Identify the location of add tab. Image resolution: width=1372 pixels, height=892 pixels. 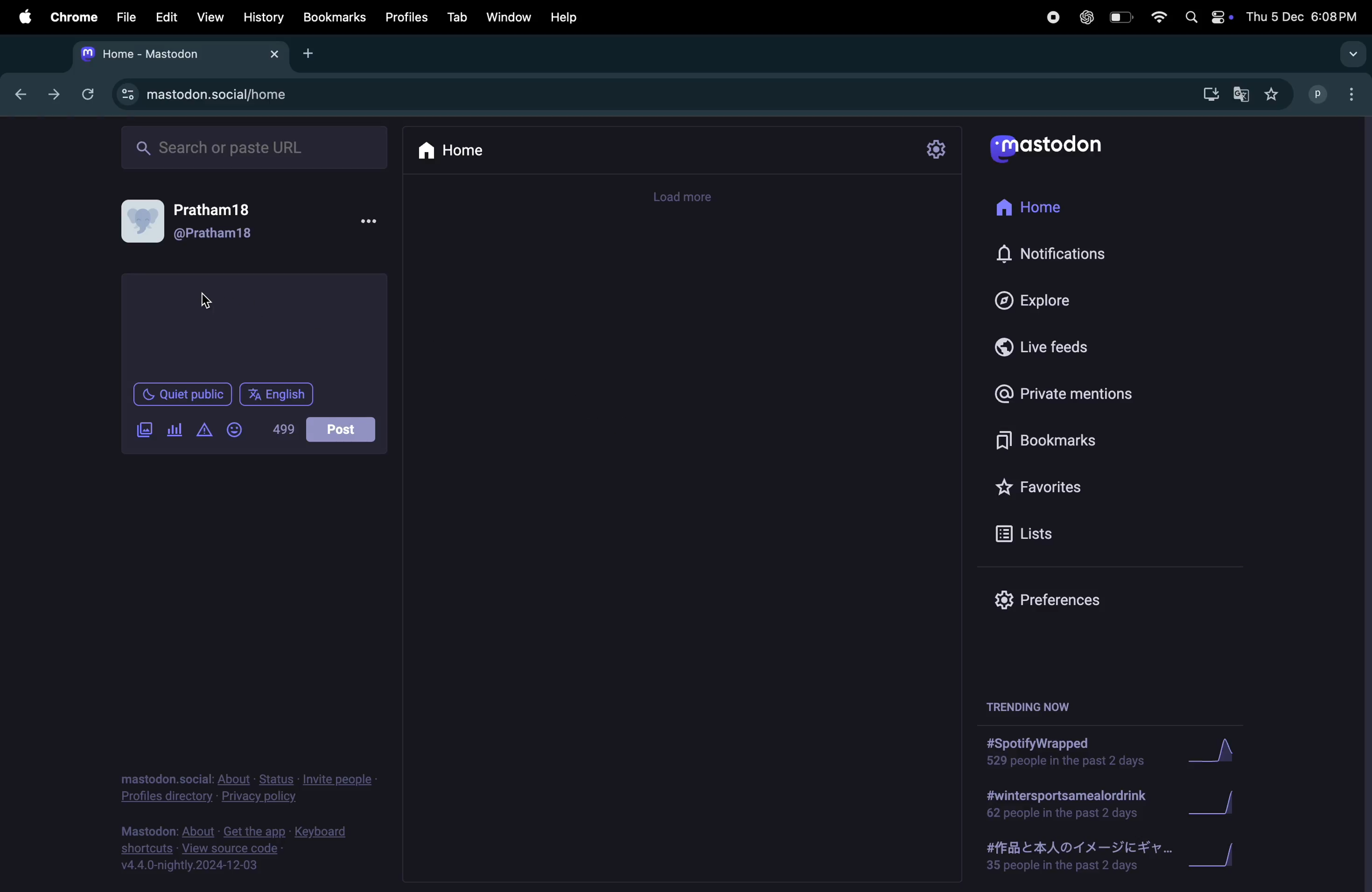
(313, 52).